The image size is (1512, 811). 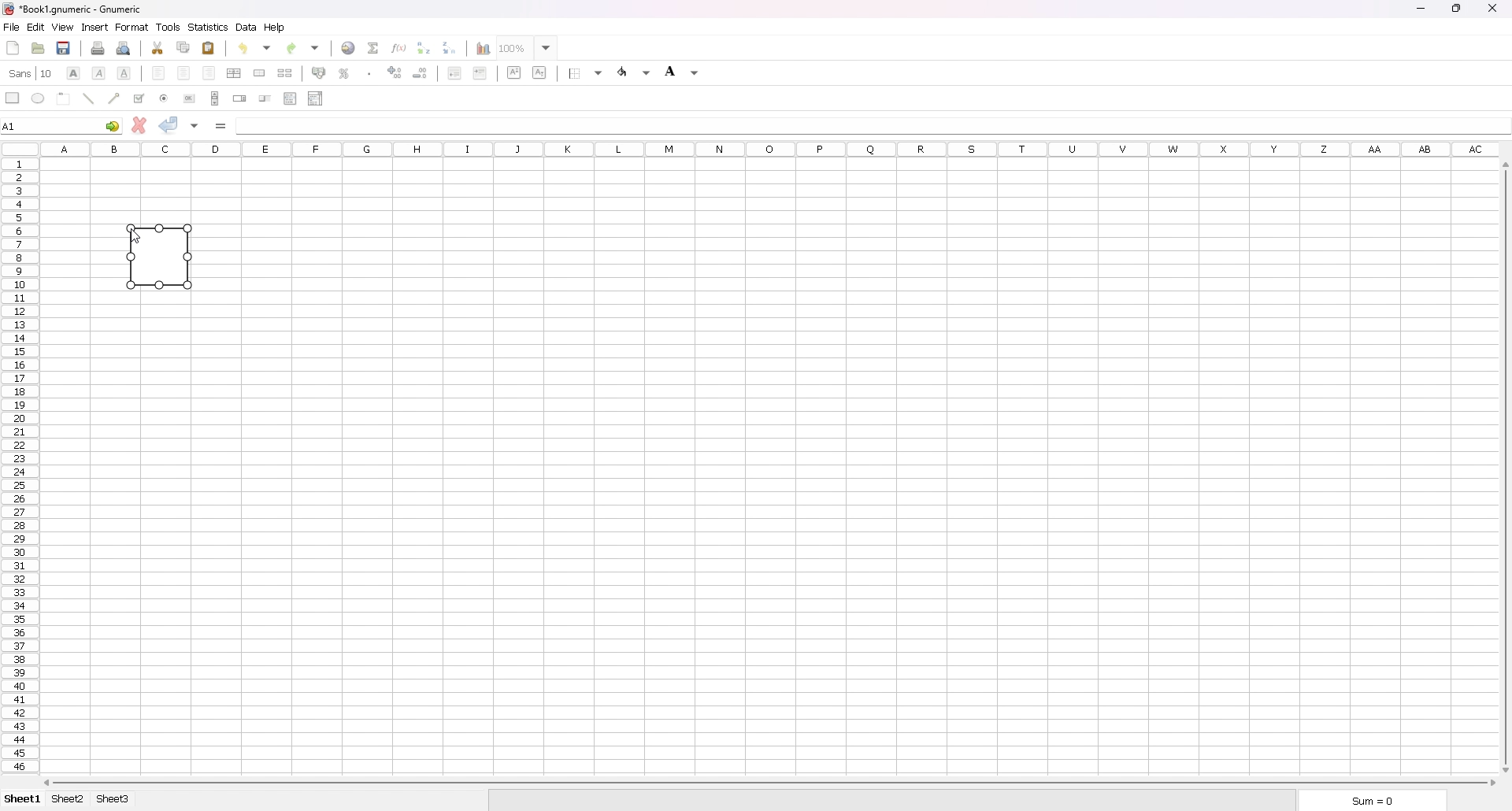 What do you see at coordinates (396, 71) in the screenshot?
I see `increase decimals` at bounding box center [396, 71].